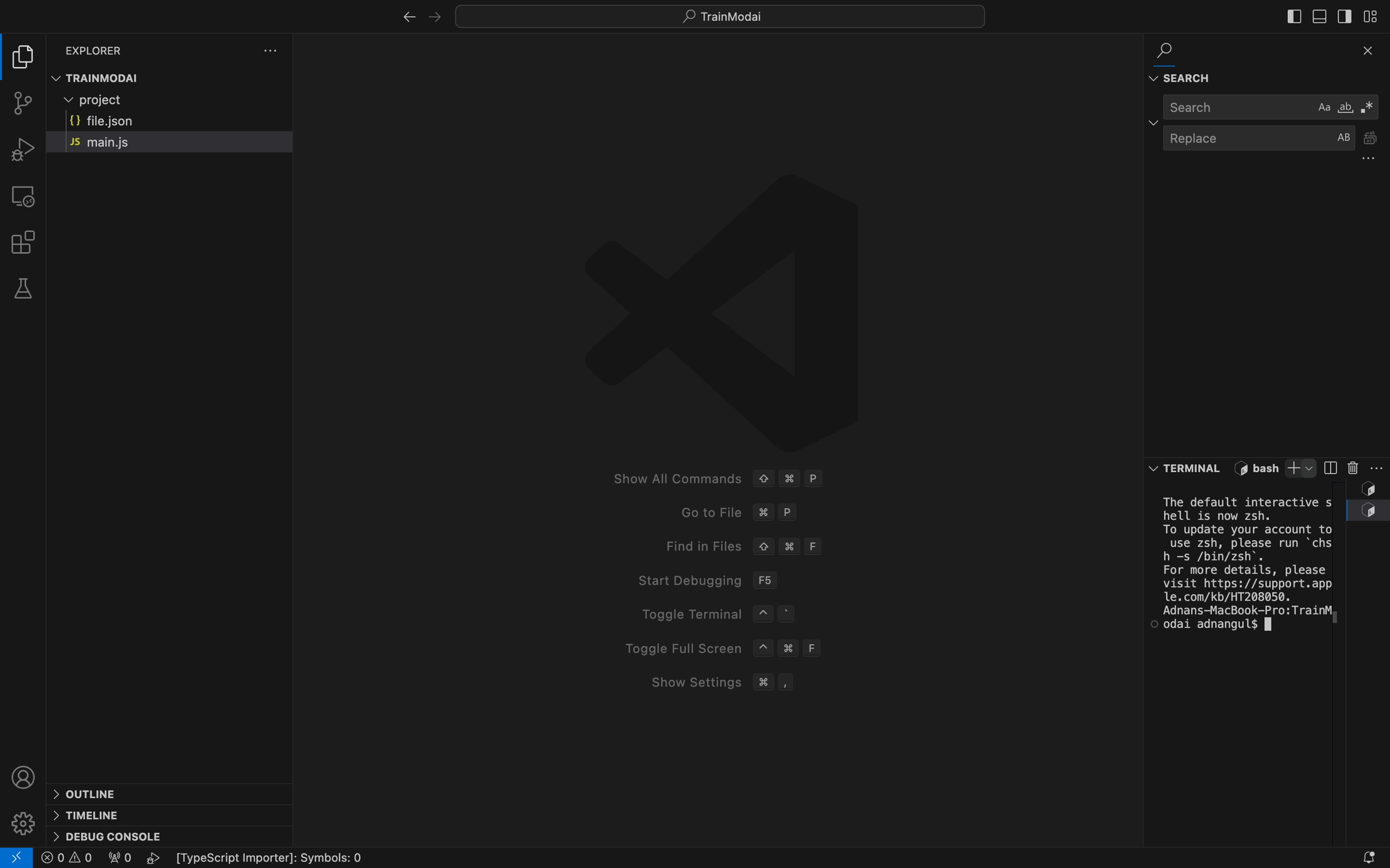 The height and width of the screenshot is (868, 1390). Describe the element at coordinates (1188, 468) in the screenshot. I see `terminals` at that location.